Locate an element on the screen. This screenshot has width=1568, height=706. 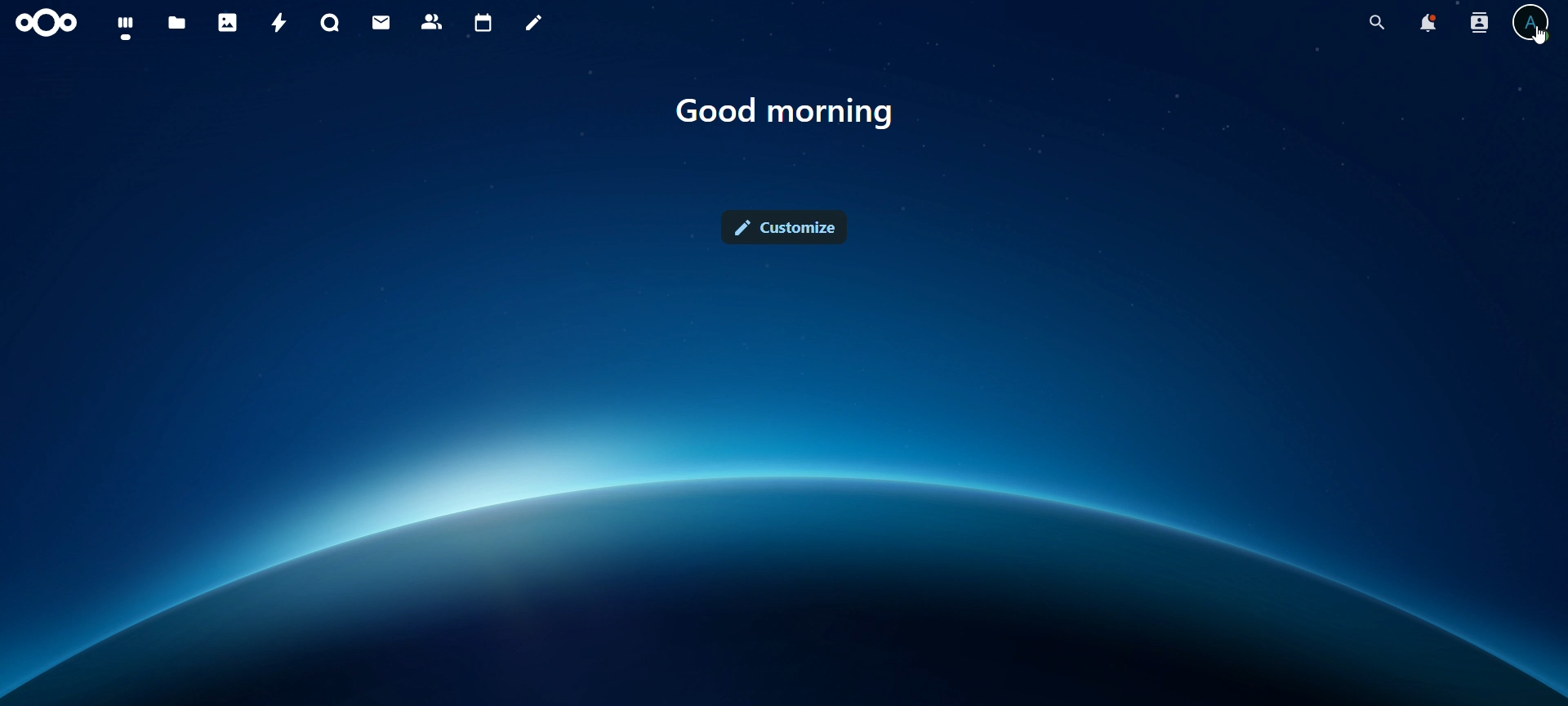
nextcloud icon is located at coordinates (47, 24).